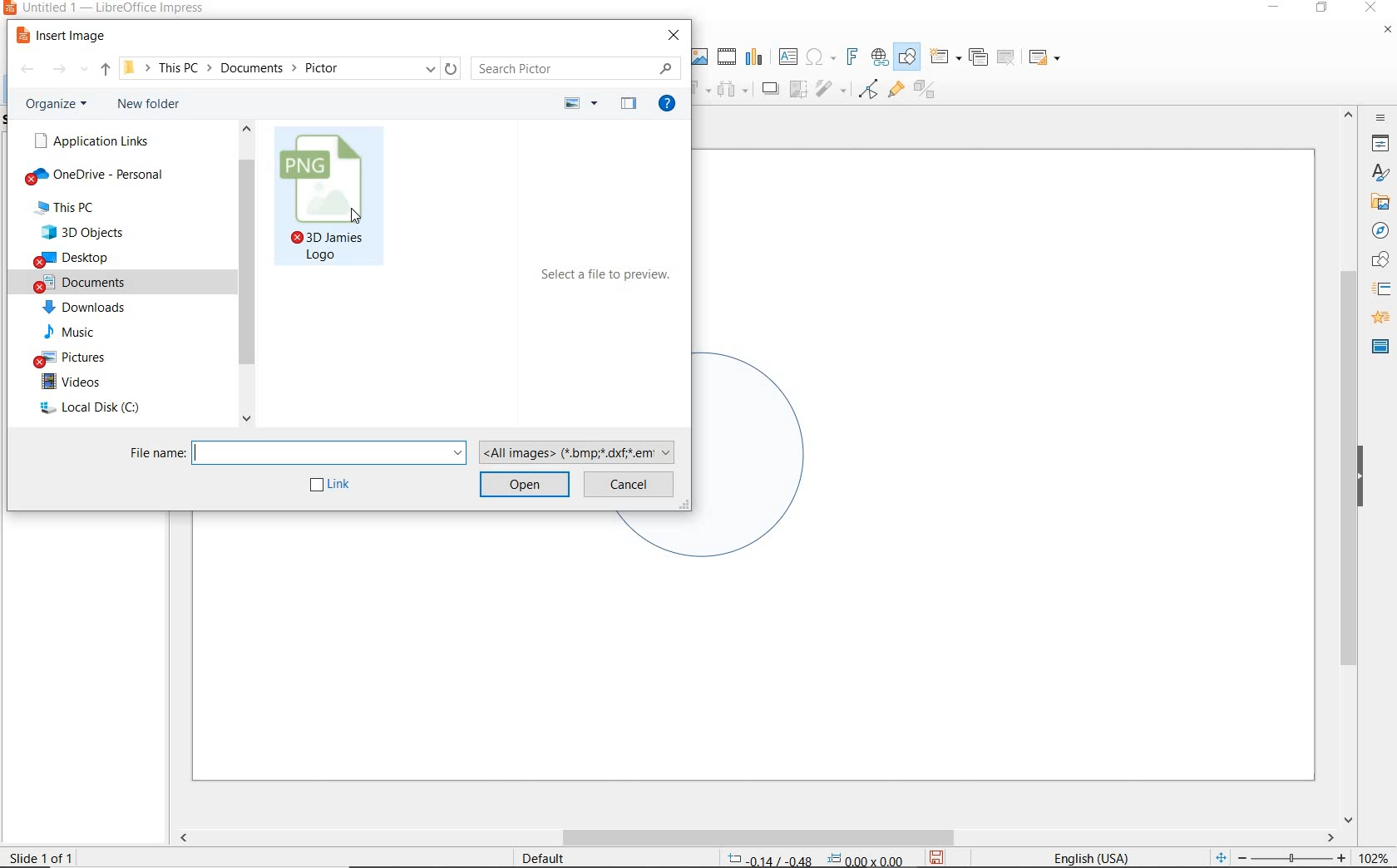 The height and width of the screenshot is (868, 1397). What do you see at coordinates (1276, 9) in the screenshot?
I see `minimize` at bounding box center [1276, 9].